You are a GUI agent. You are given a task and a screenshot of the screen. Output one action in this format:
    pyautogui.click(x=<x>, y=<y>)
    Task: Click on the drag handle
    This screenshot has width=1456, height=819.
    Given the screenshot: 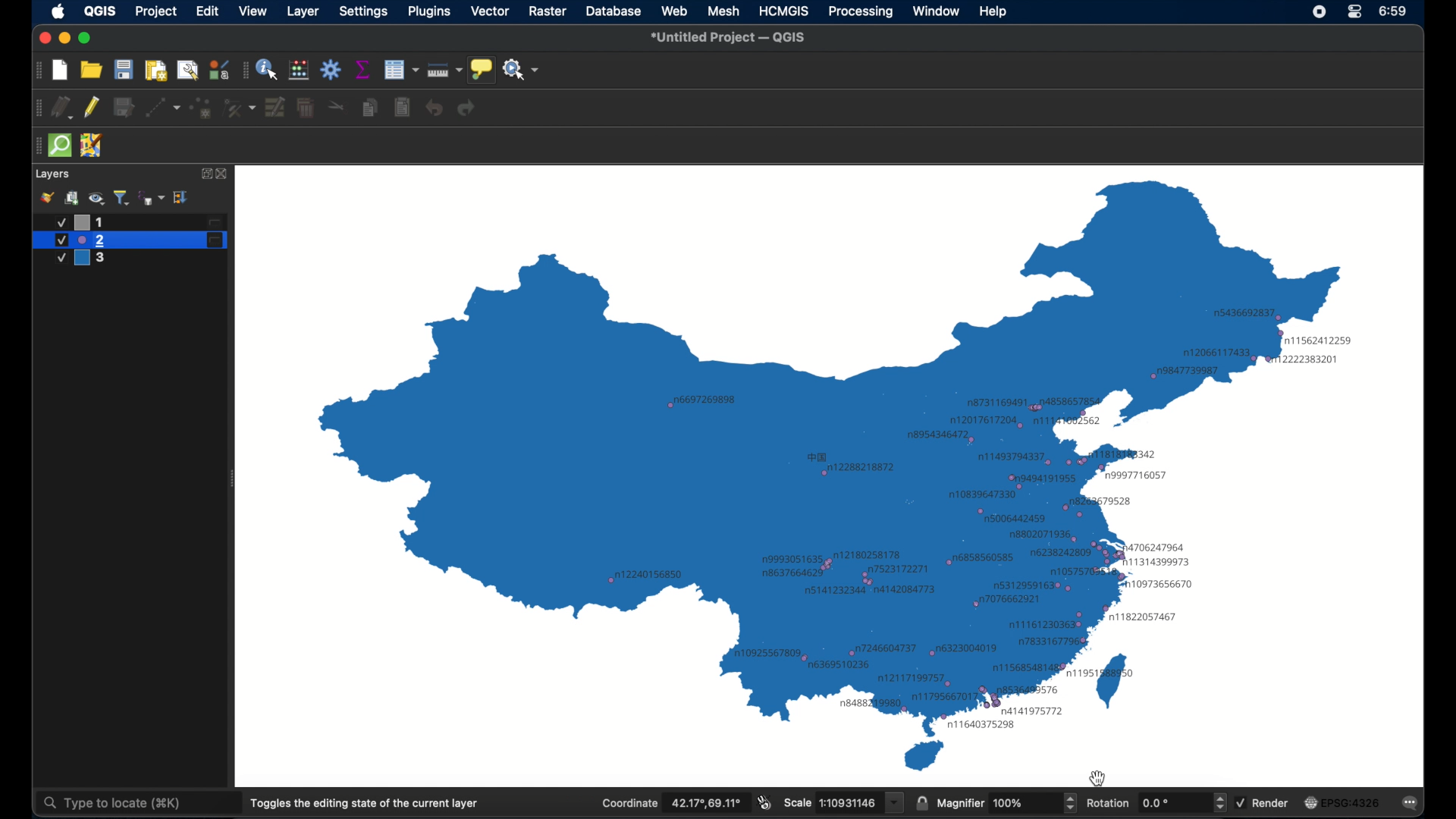 What is the action you would take?
    pyautogui.click(x=245, y=69)
    